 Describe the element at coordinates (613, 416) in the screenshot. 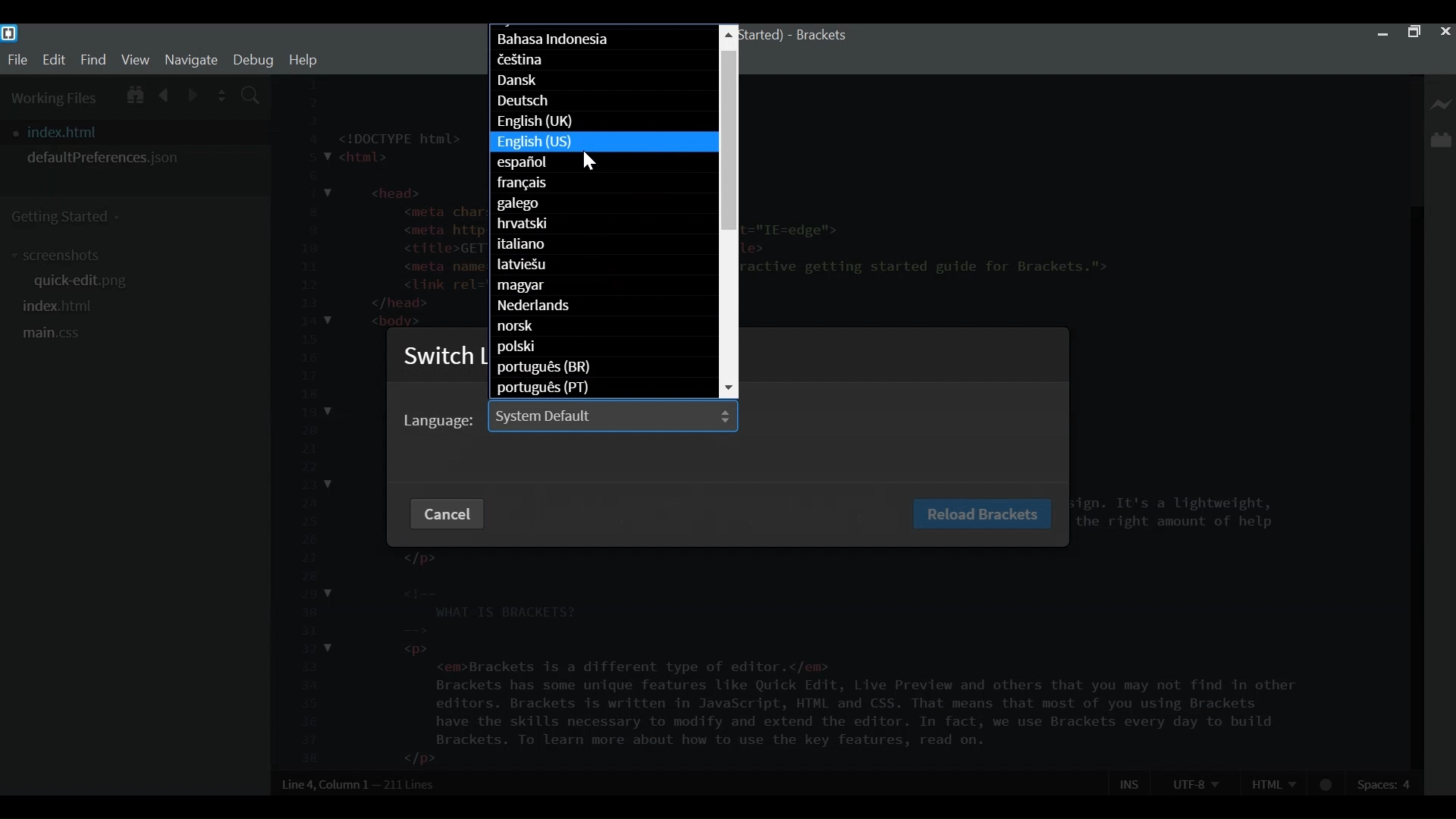

I see `System Default` at that location.